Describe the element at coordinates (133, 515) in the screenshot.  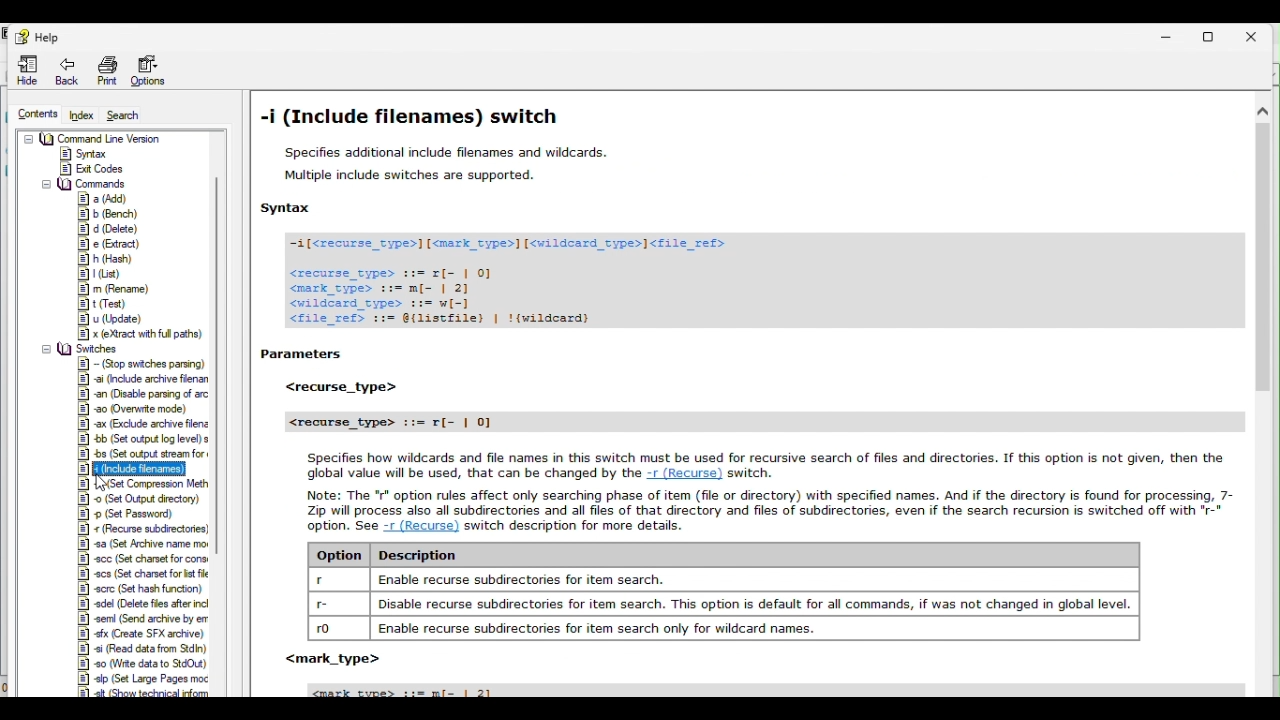
I see `Set password` at that location.